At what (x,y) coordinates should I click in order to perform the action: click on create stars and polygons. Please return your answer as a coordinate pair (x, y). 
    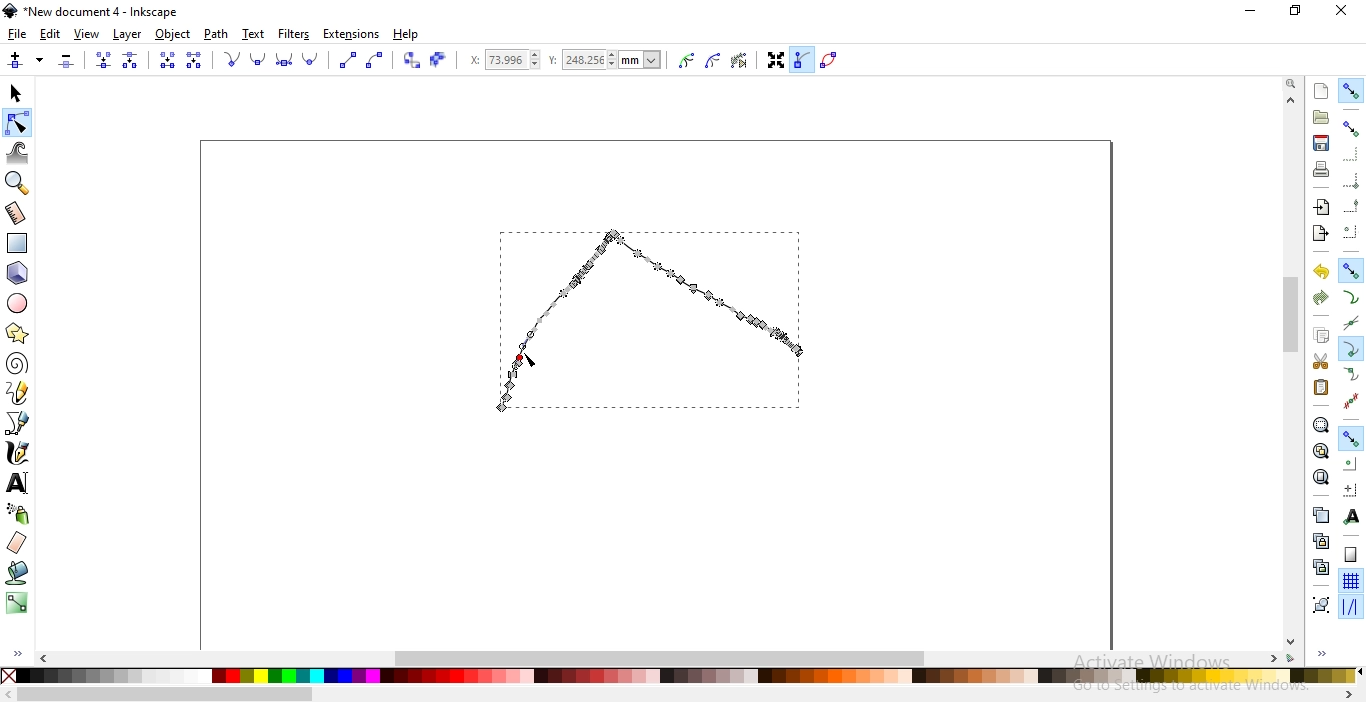
    Looking at the image, I should click on (17, 335).